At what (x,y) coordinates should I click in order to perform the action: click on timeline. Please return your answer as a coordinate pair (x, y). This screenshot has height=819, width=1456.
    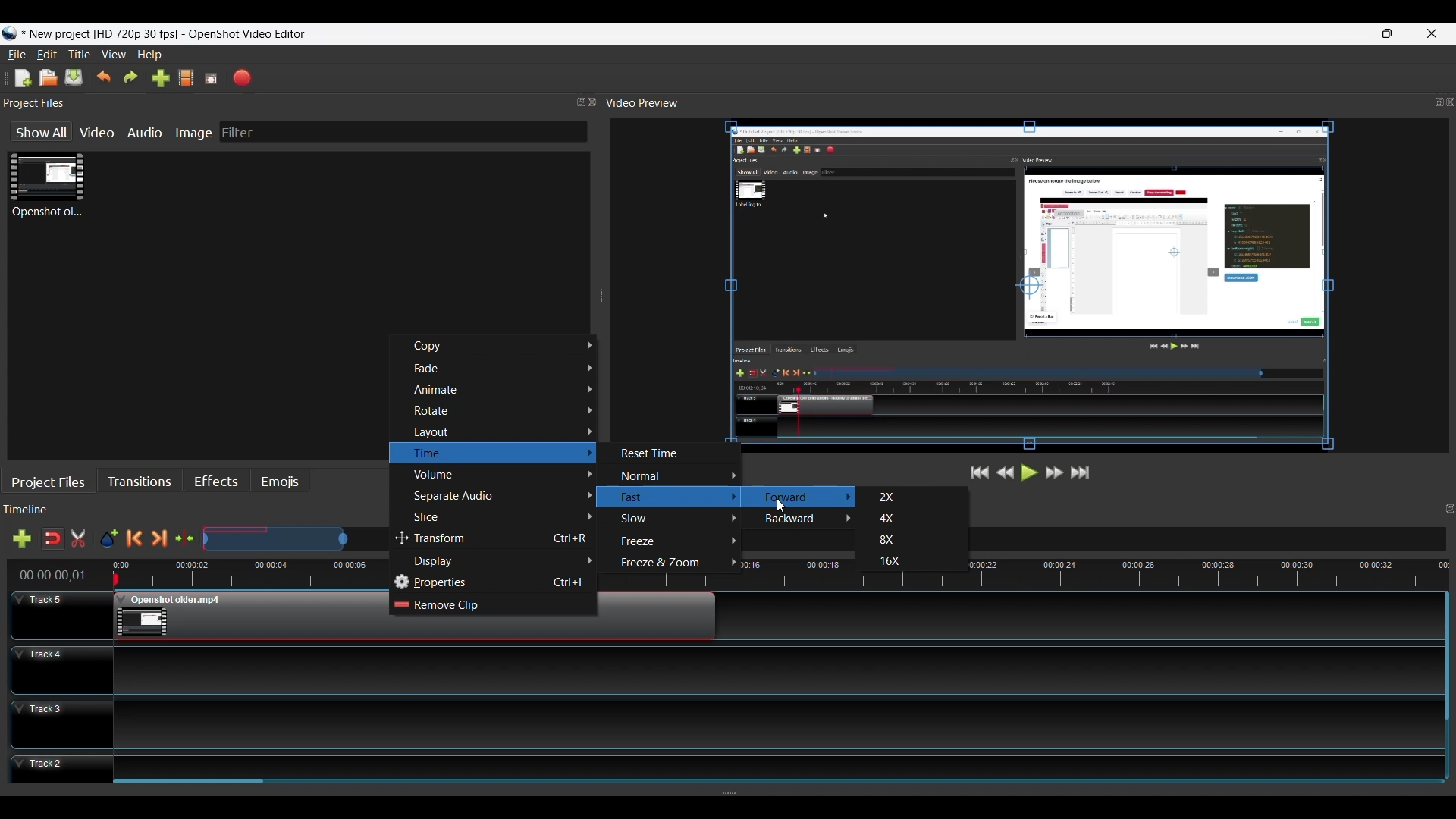
    Looking at the image, I should click on (1112, 572).